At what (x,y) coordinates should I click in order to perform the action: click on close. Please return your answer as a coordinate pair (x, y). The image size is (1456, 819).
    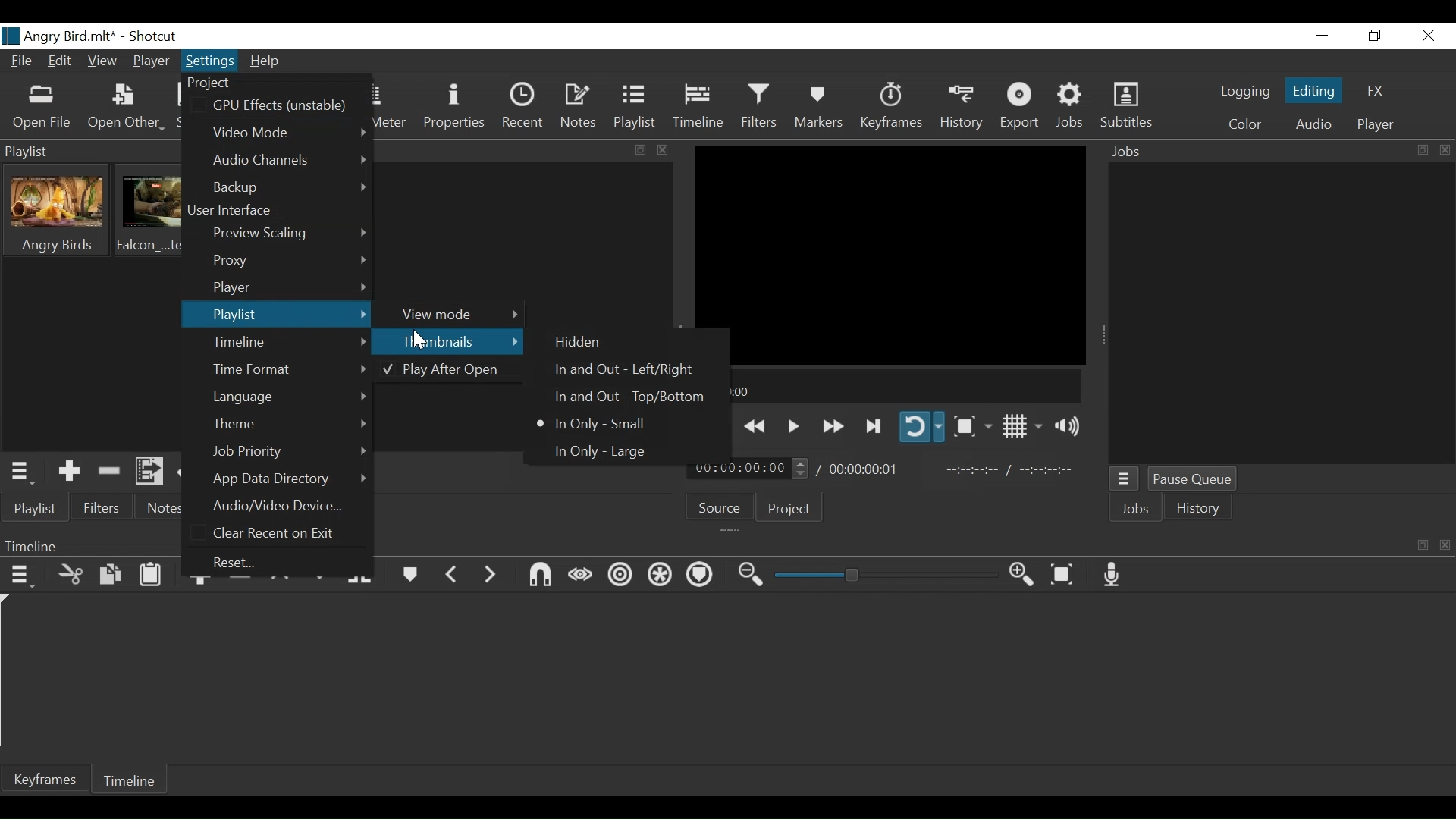
    Looking at the image, I should click on (664, 151).